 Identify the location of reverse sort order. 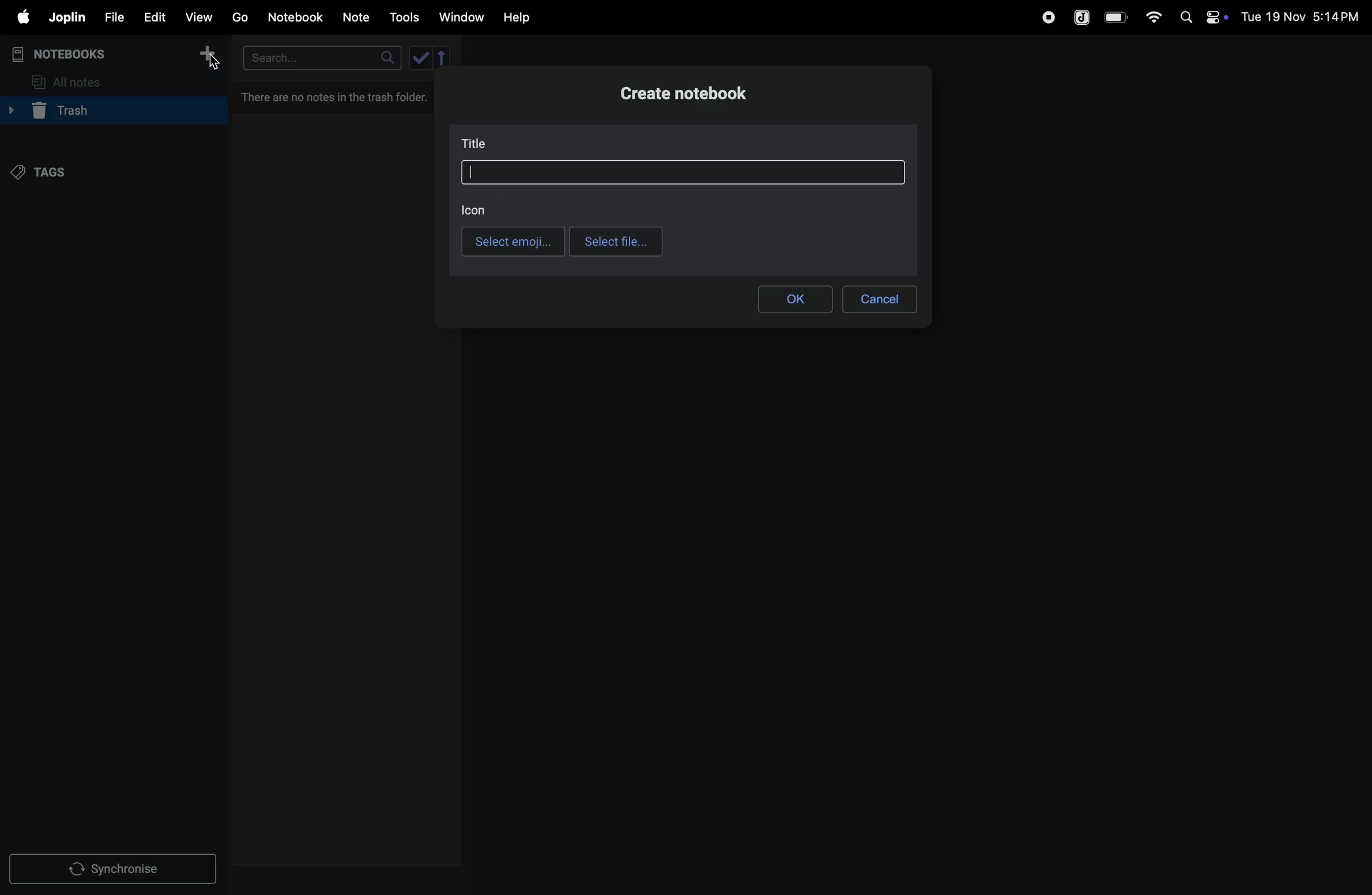
(444, 58).